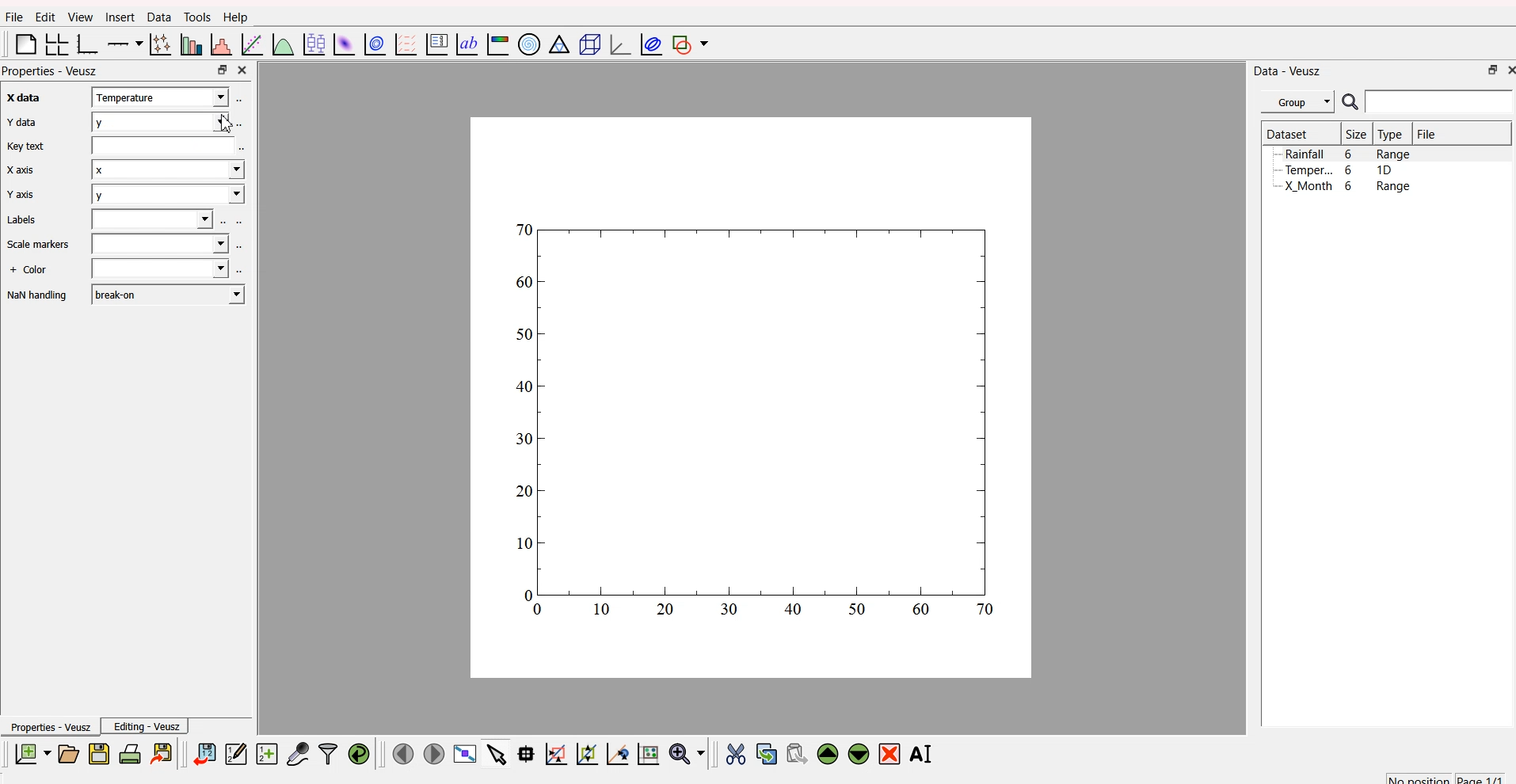 The height and width of the screenshot is (784, 1516). What do you see at coordinates (693, 45) in the screenshot?
I see `add shape to plot` at bounding box center [693, 45].